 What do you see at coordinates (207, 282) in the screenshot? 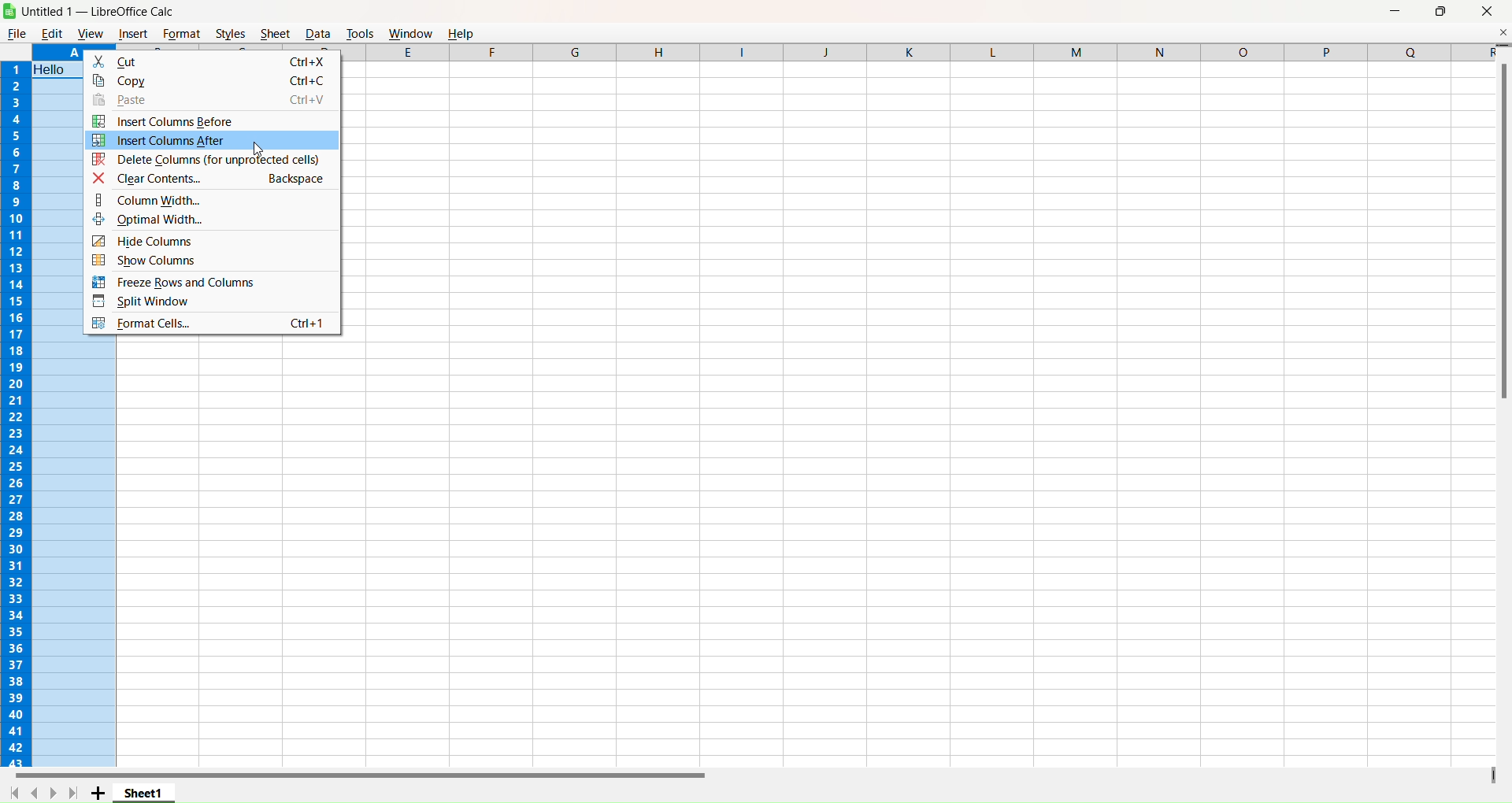
I see `Freeze Rows and Columns` at bounding box center [207, 282].